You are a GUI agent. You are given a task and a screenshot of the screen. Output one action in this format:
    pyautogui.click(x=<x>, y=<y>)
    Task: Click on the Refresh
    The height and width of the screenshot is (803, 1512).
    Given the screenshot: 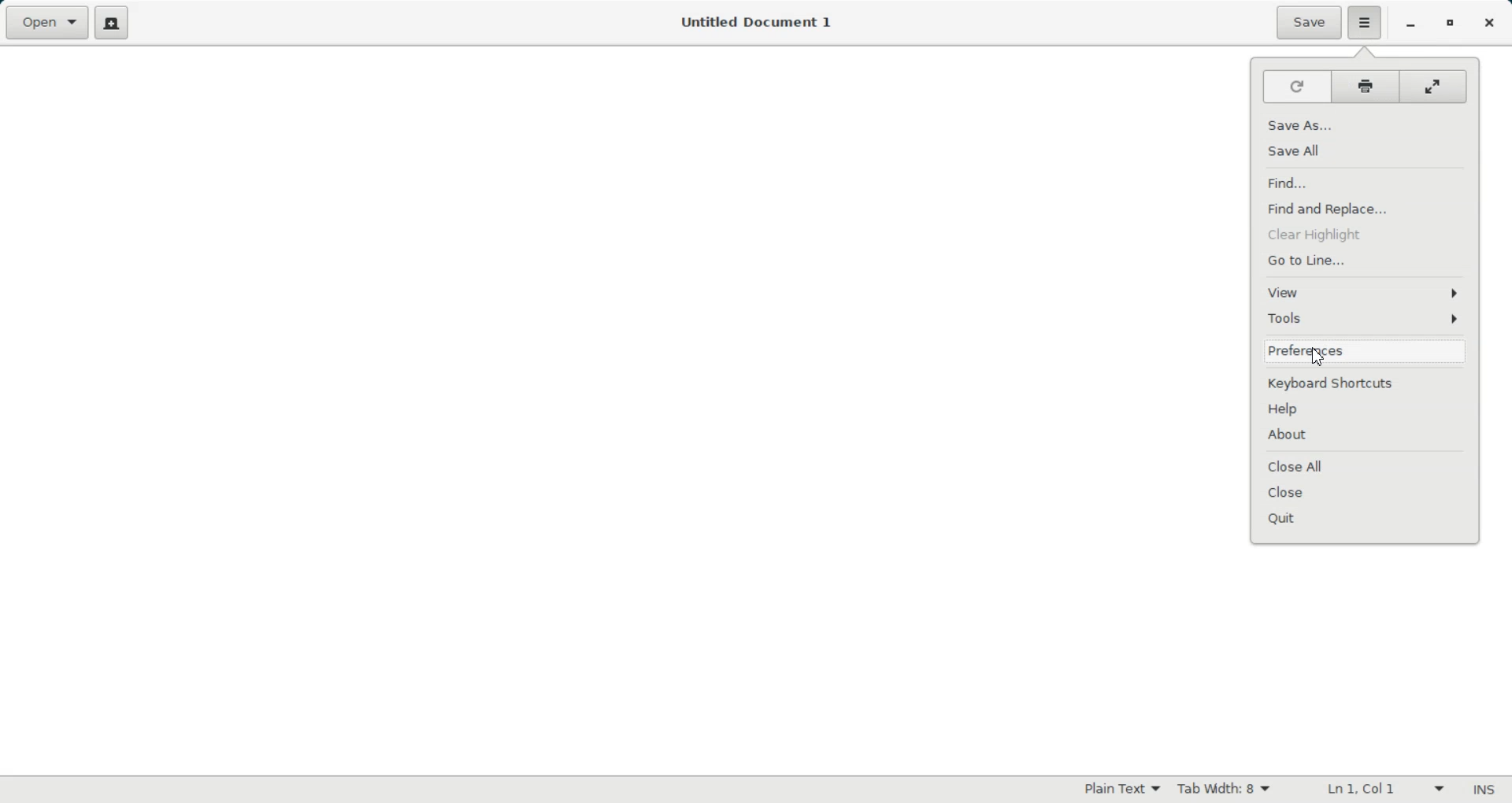 What is the action you would take?
    pyautogui.click(x=1295, y=87)
    